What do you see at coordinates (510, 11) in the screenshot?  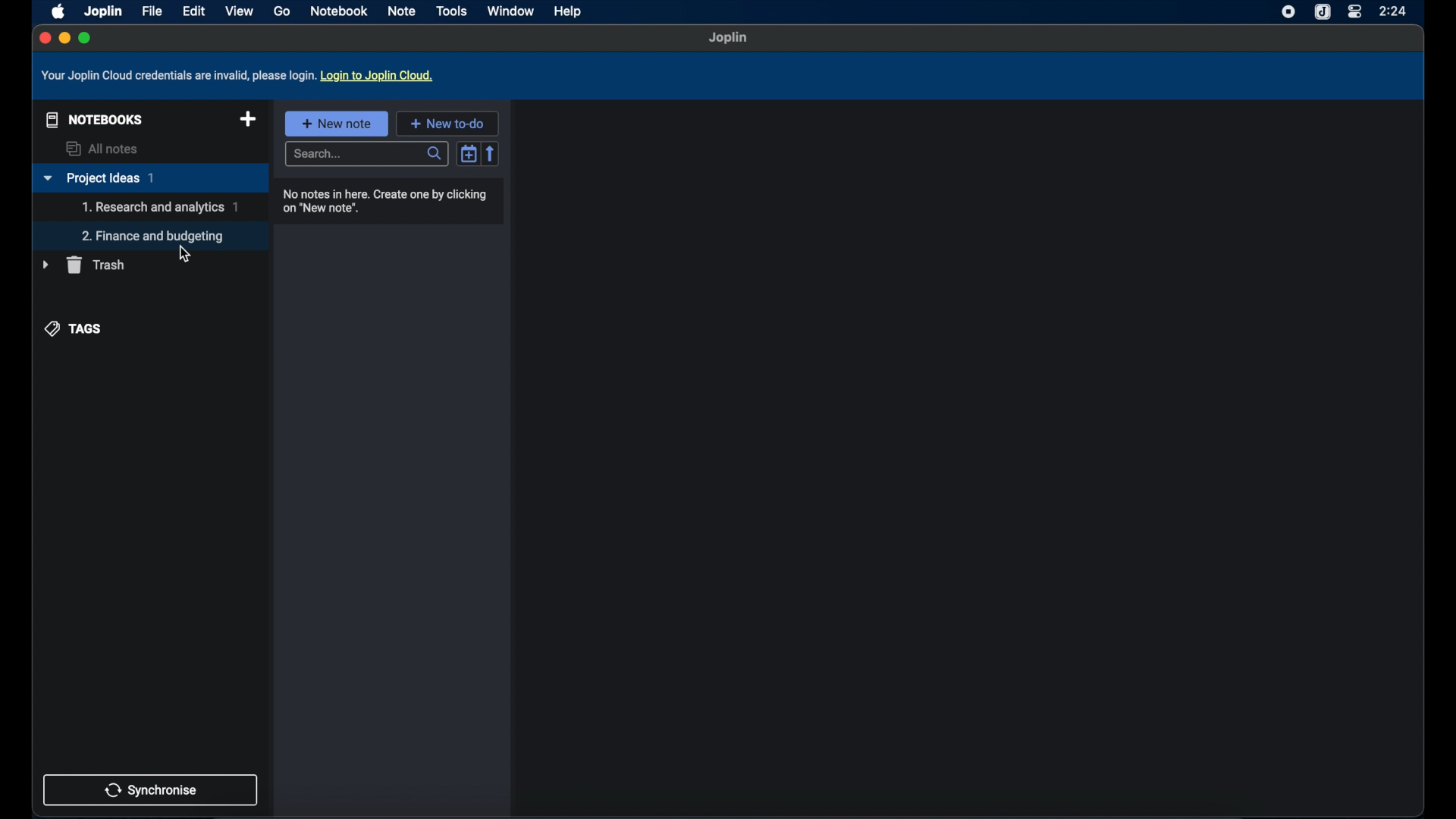 I see `window` at bounding box center [510, 11].